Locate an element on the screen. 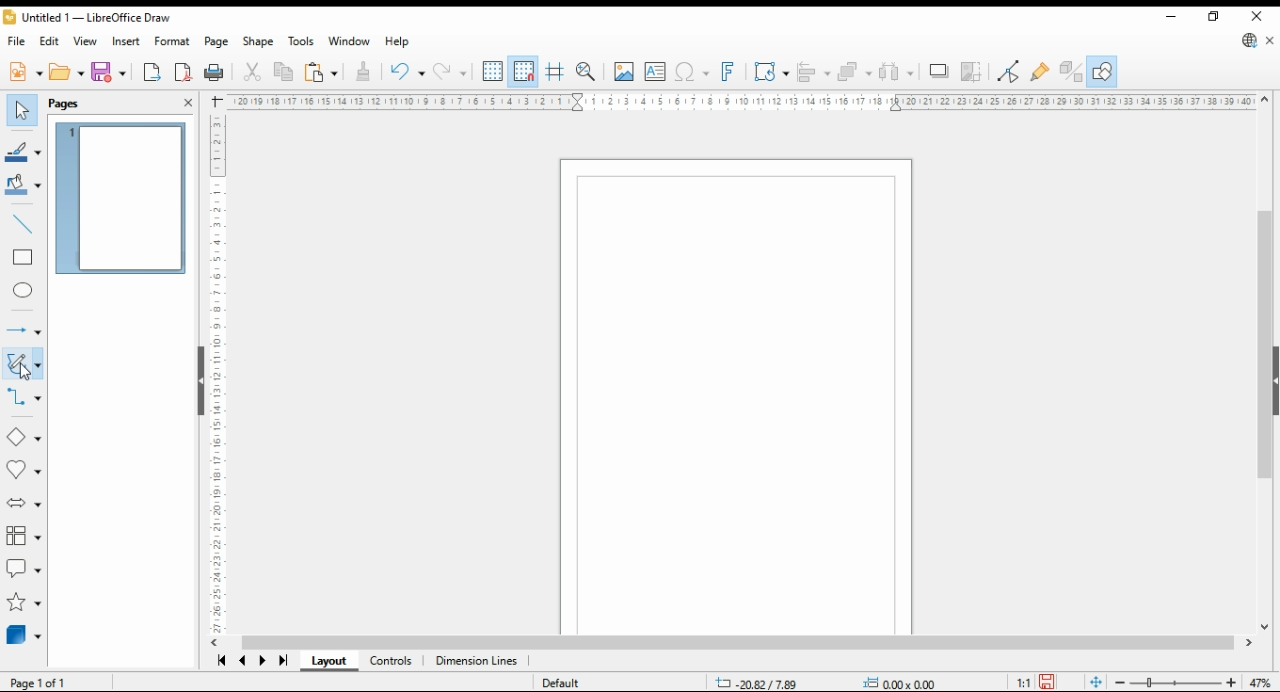 This screenshot has height=692, width=1280. close document is located at coordinates (1272, 39).